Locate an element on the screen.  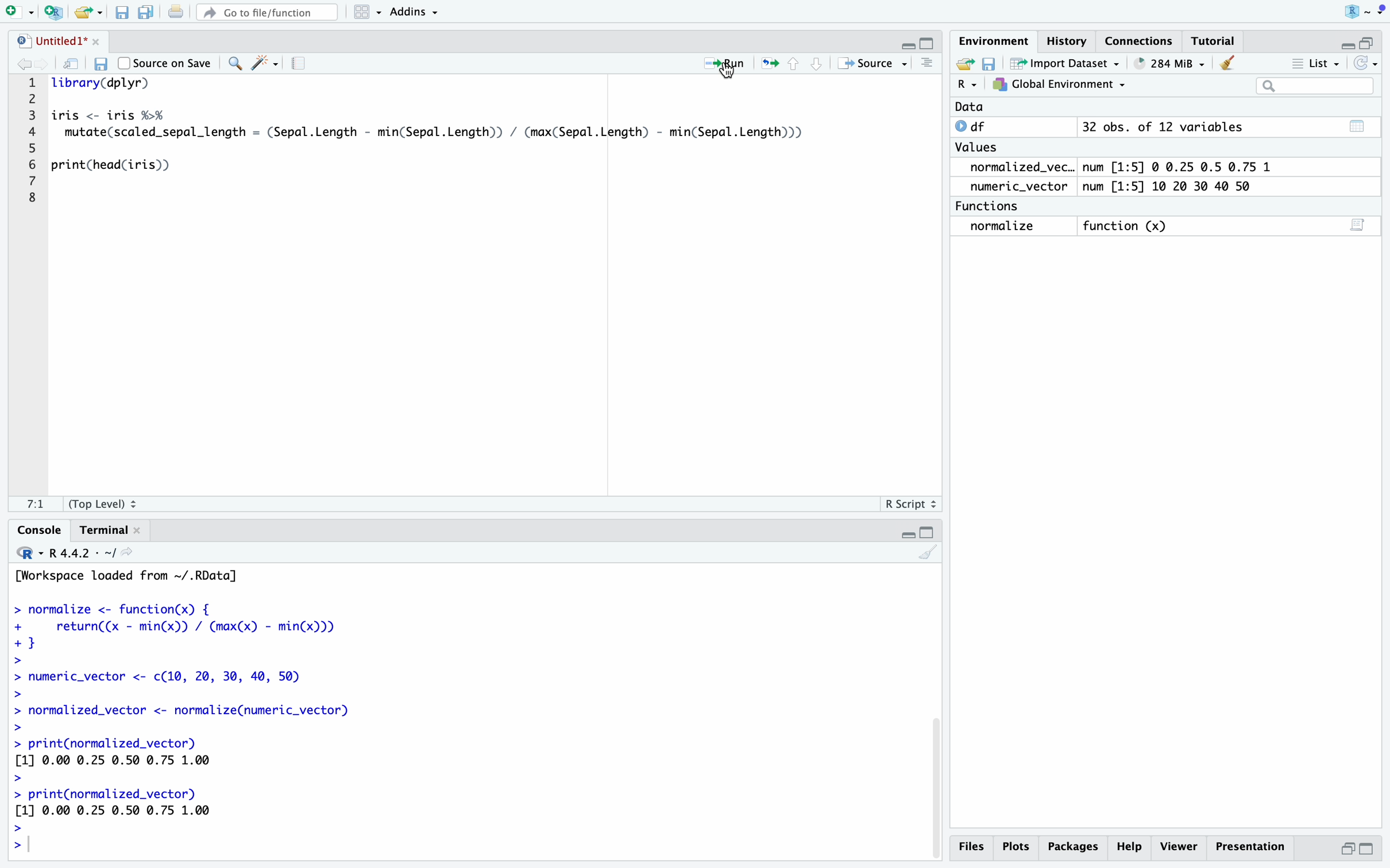
Top Level is located at coordinates (109, 503).